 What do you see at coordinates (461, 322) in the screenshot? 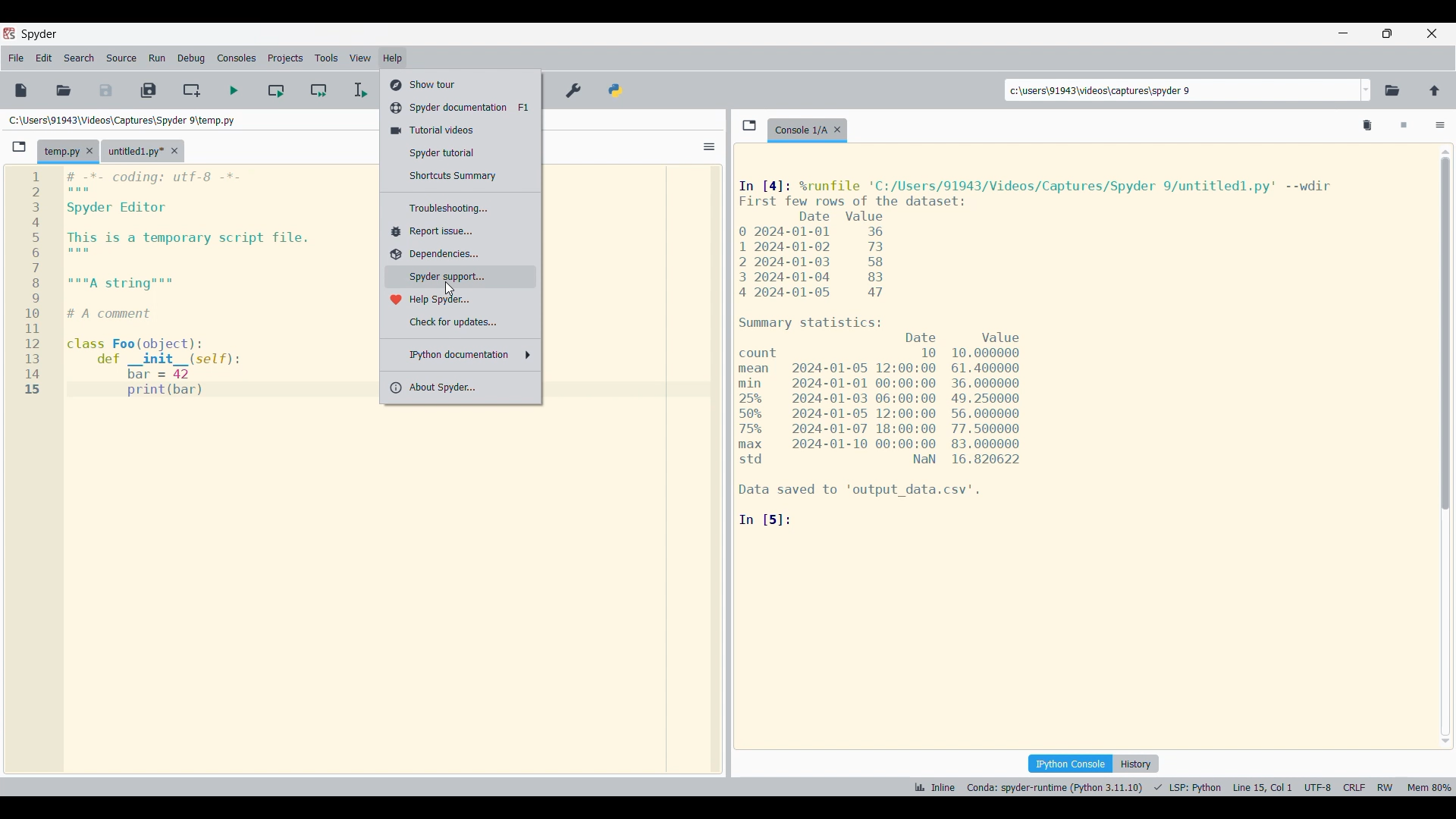
I see `Check for updates` at bounding box center [461, 322].